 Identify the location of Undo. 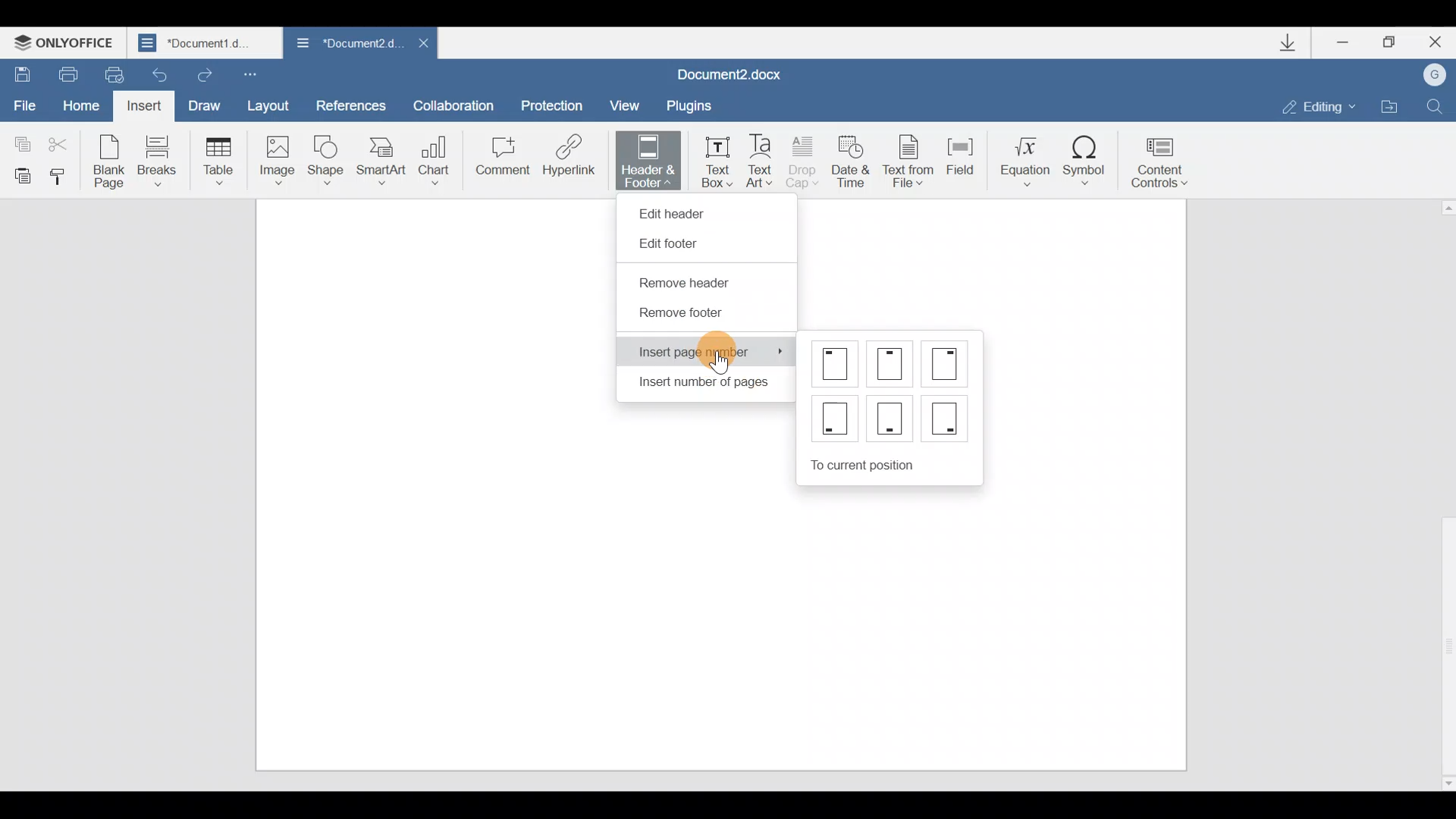
(161, 74).